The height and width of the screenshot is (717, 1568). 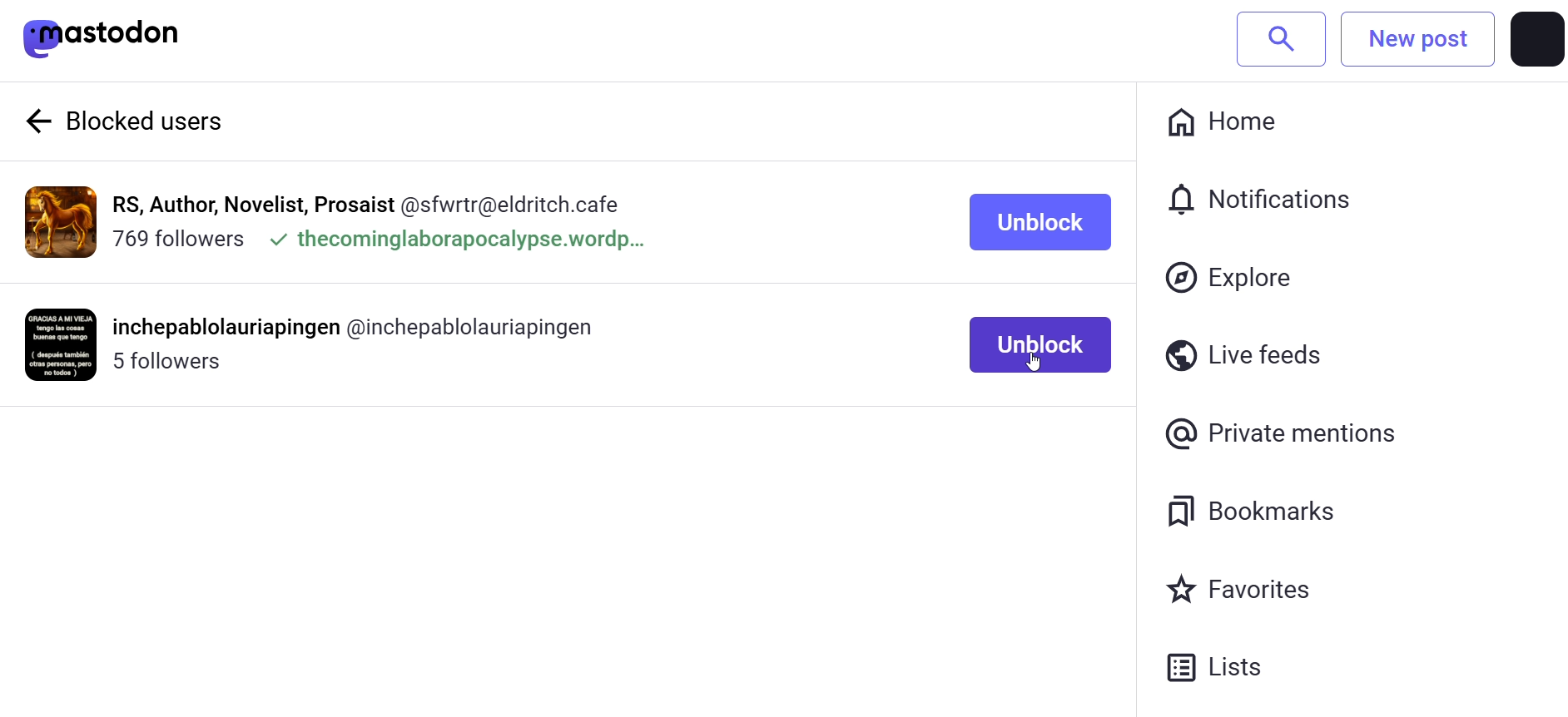 What do you see at coordinates (1229, 125) in the screenshot?
I see `home ` at bounding box center [1229, 125].